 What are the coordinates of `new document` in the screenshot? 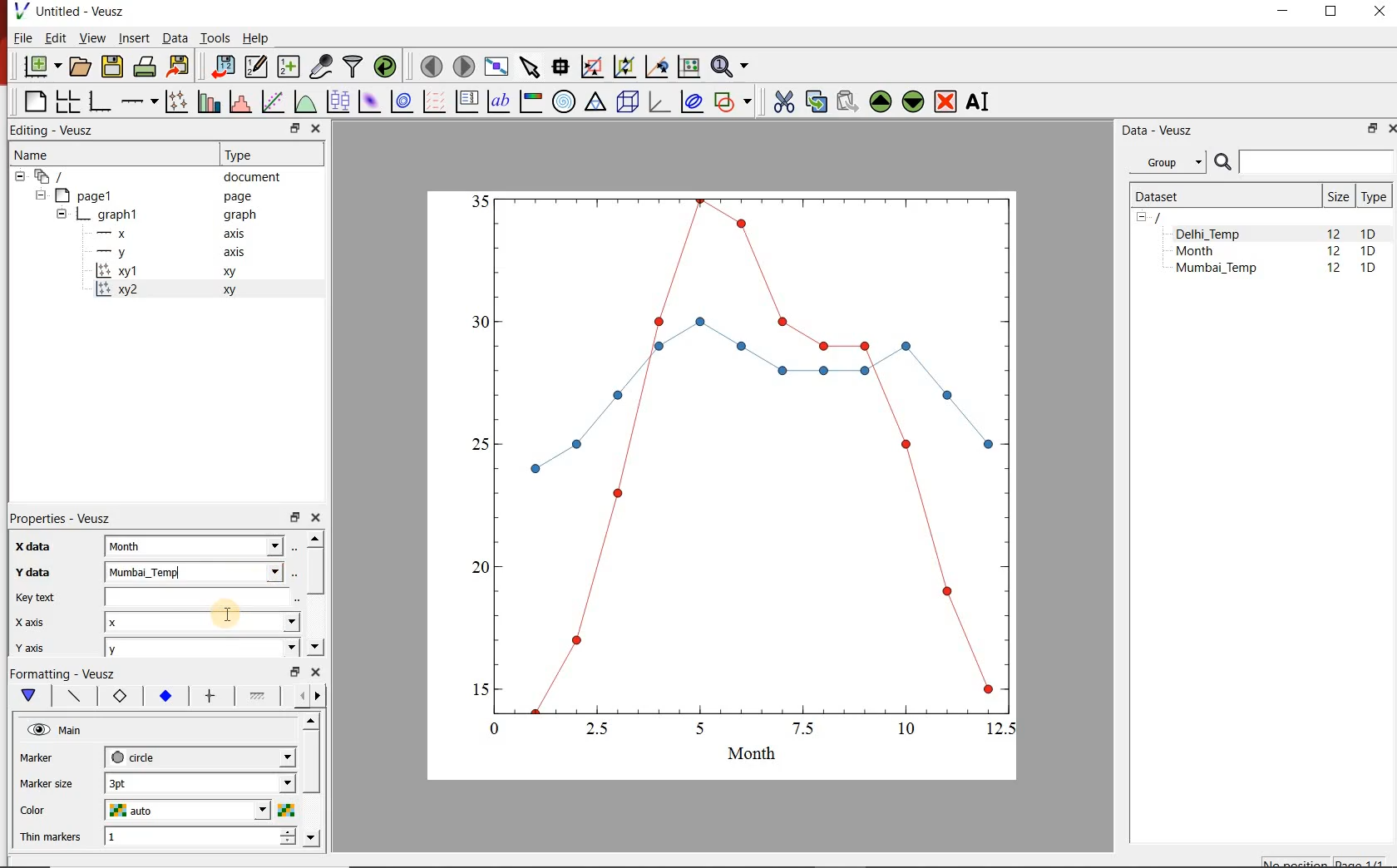 It's located at (41, 67).